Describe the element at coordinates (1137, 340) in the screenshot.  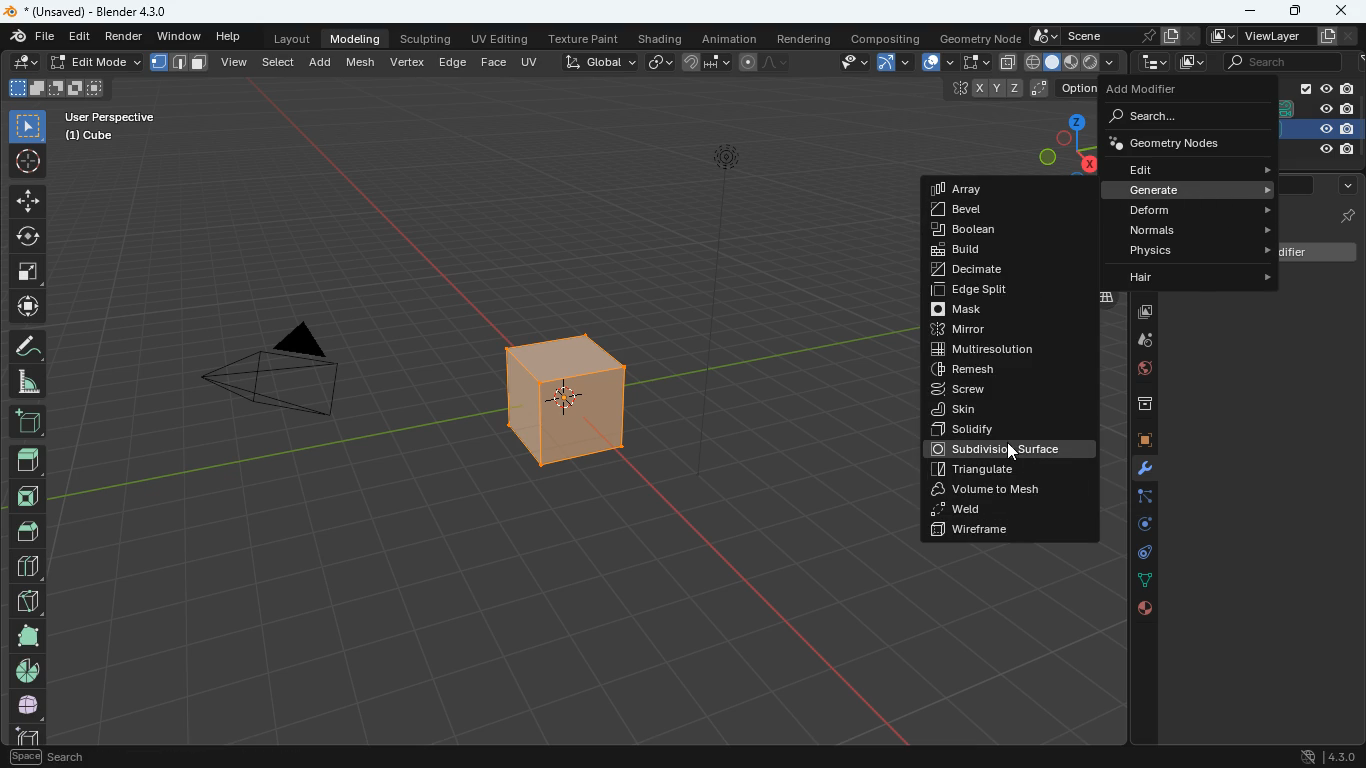
I see `drog` at that location.